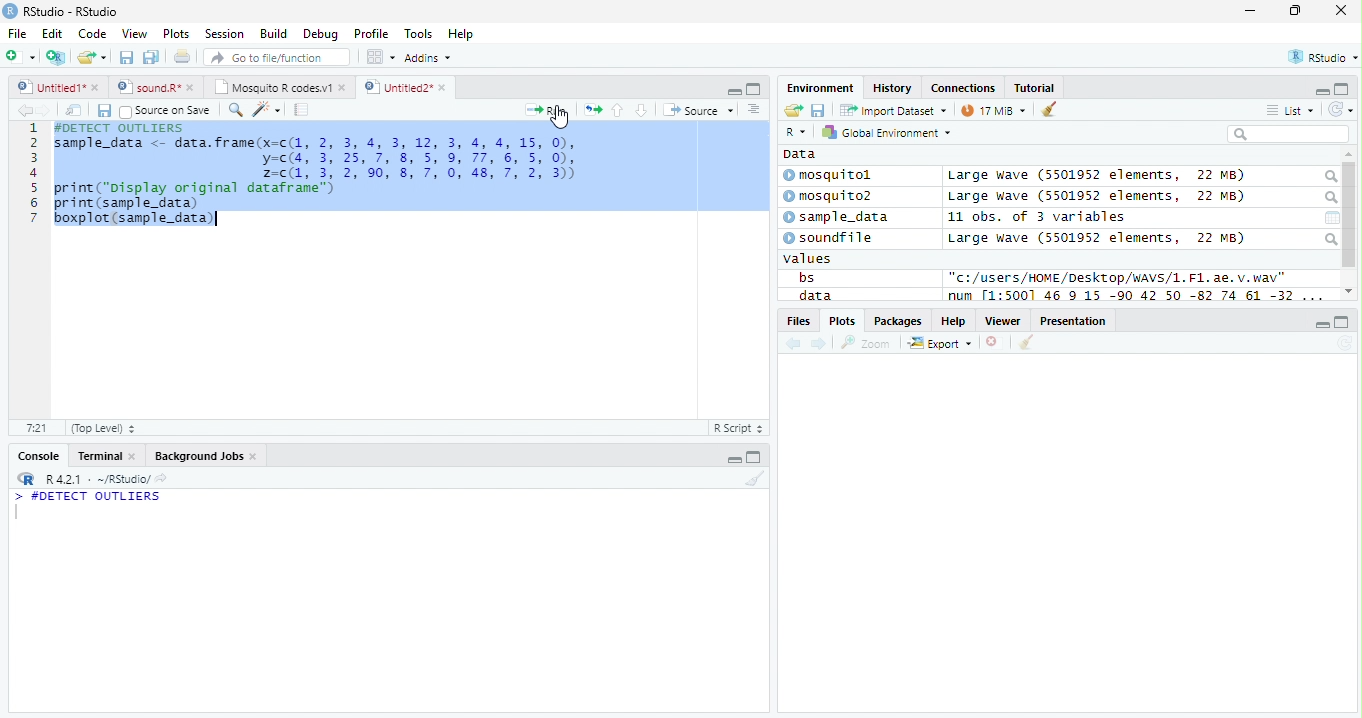 This screenshot has height=718, width=1362. I want to click on Go to fie/function, so click(277, 57).